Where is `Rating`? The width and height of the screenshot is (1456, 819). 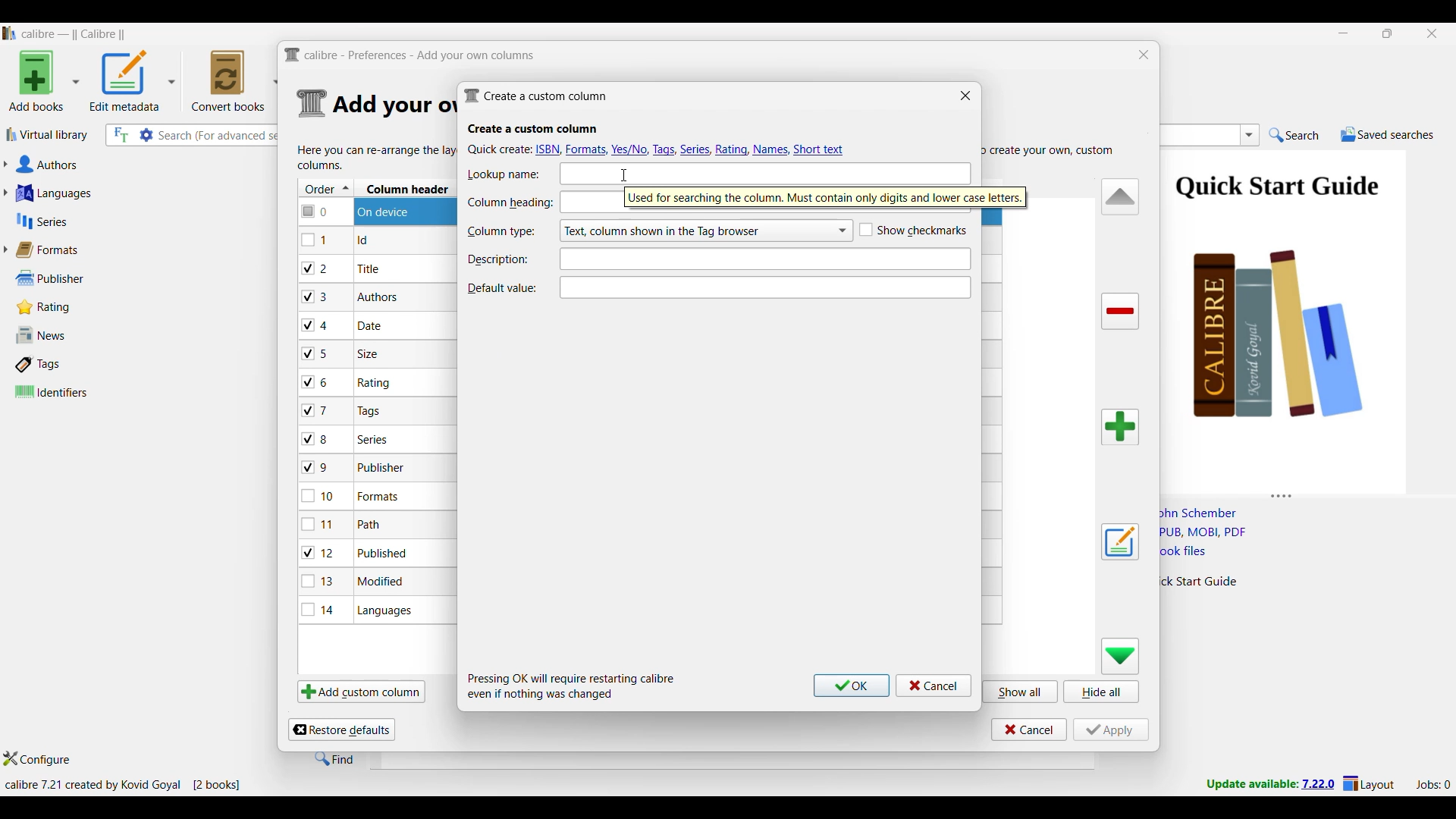 Rating is located at coordinates (52, 307).